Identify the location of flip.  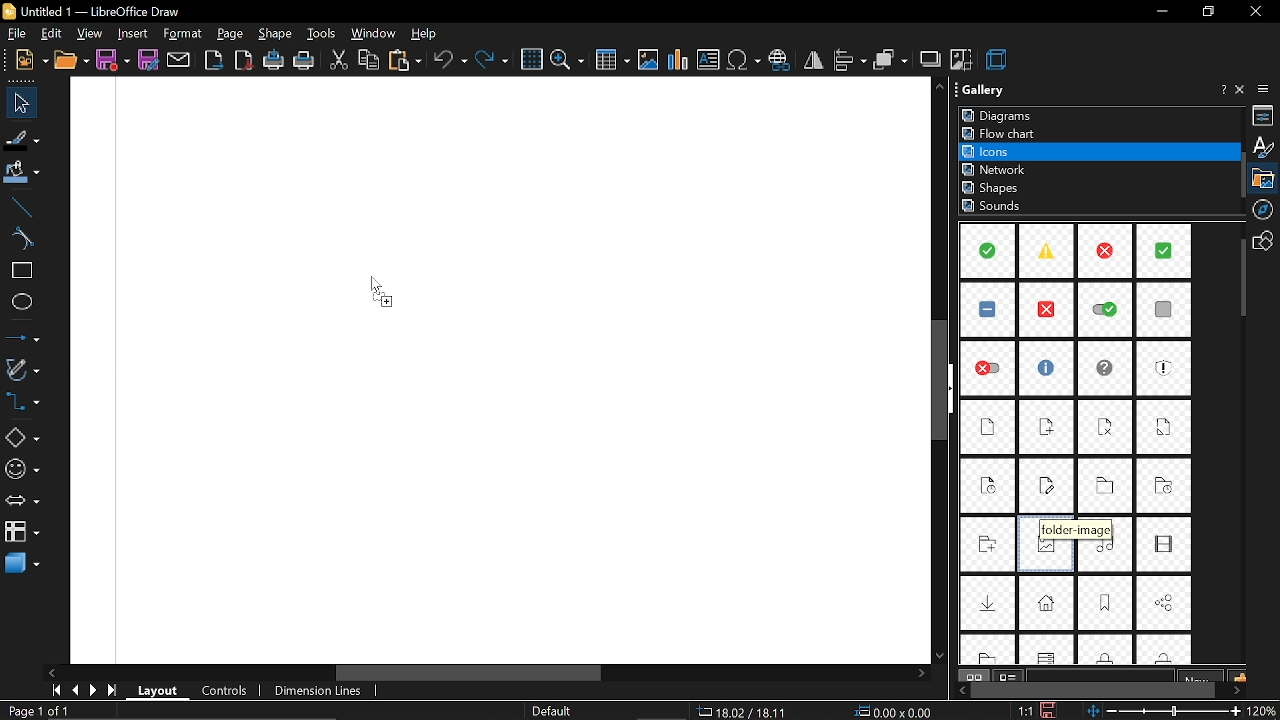
(812, 63).